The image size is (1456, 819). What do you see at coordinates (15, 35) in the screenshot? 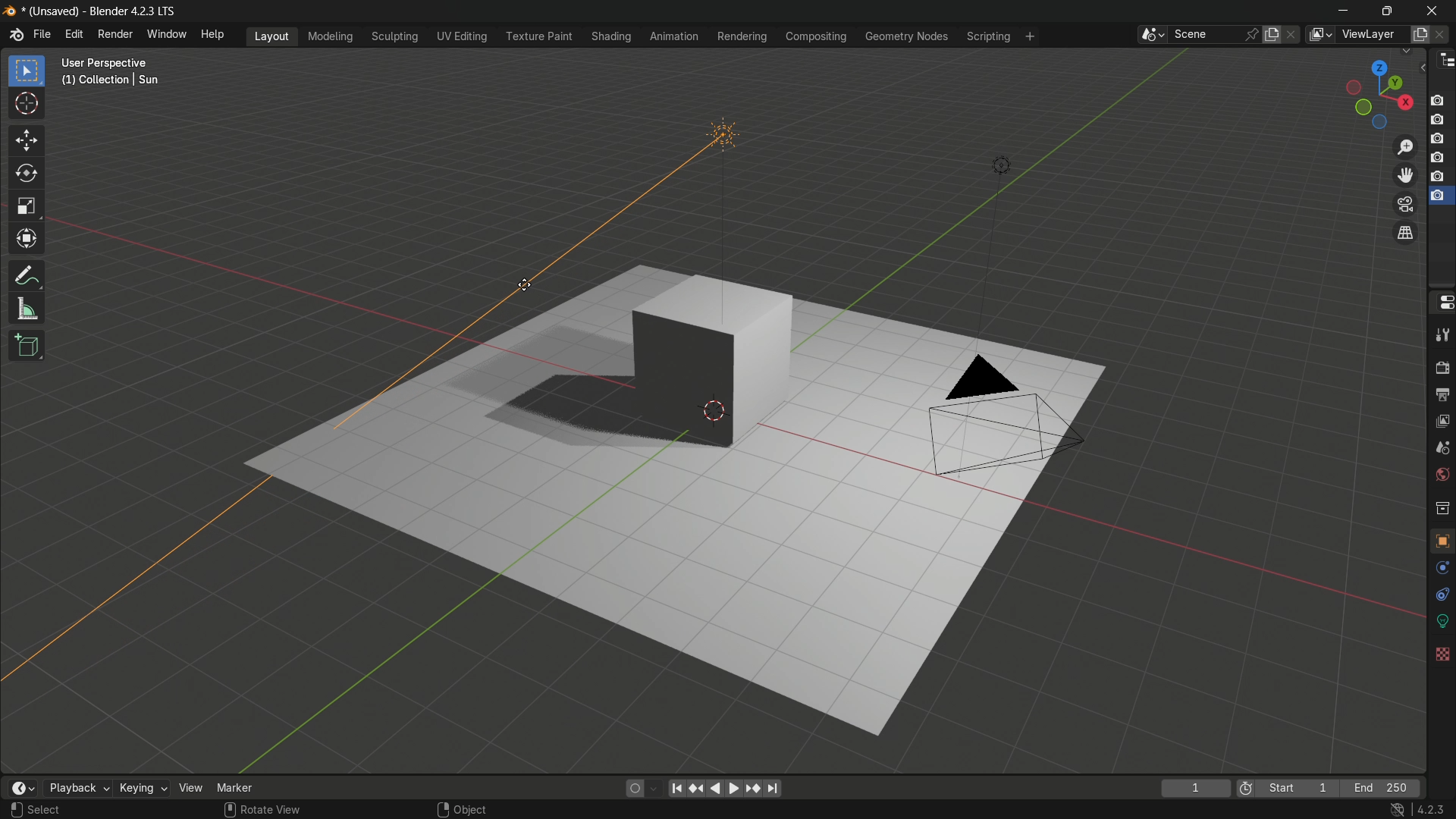
I see `logo` at bounding box center [15, 35].